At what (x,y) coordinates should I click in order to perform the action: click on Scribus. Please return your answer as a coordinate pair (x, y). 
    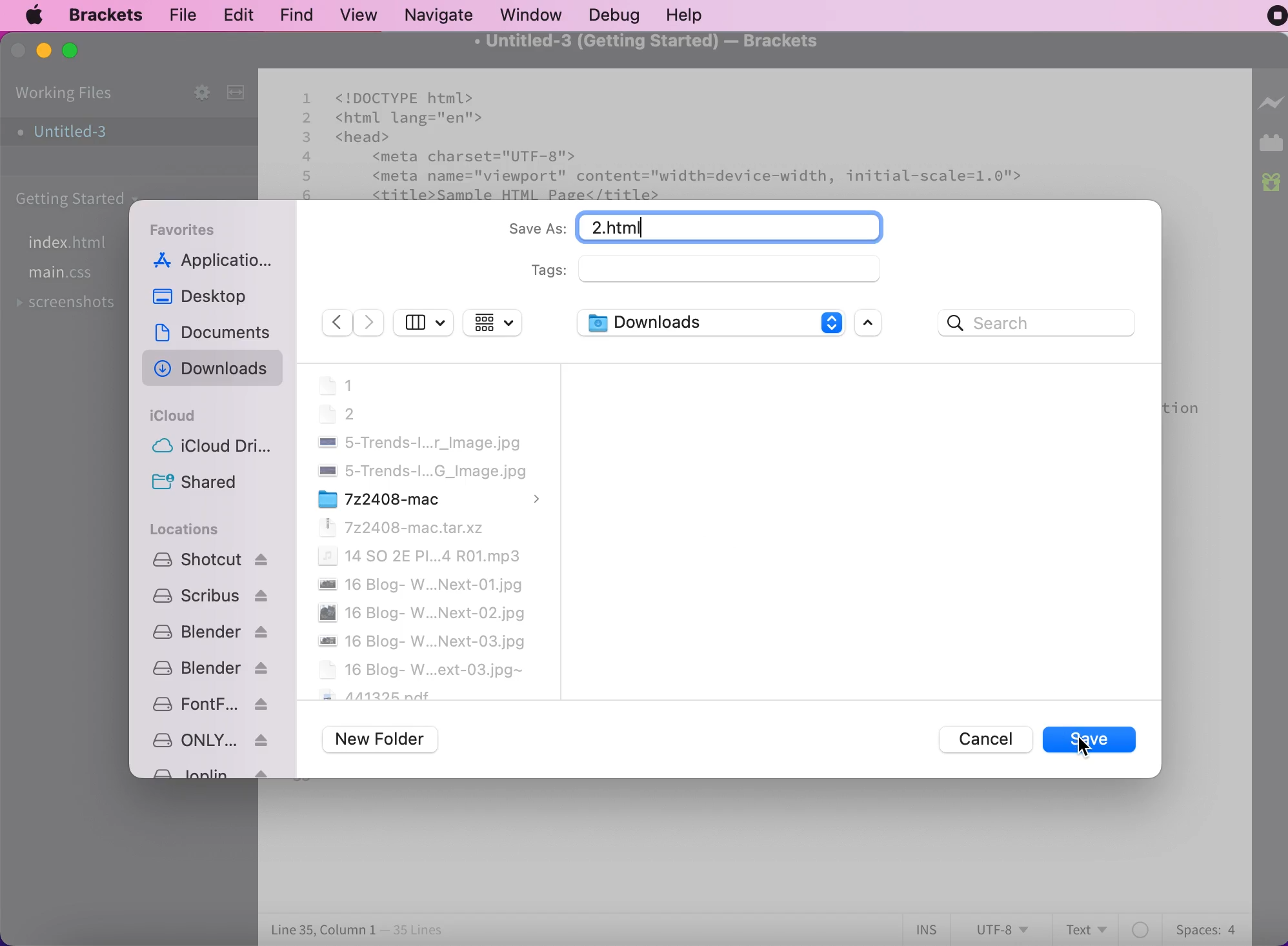
    Looking at the image, I should click on (208, 596).